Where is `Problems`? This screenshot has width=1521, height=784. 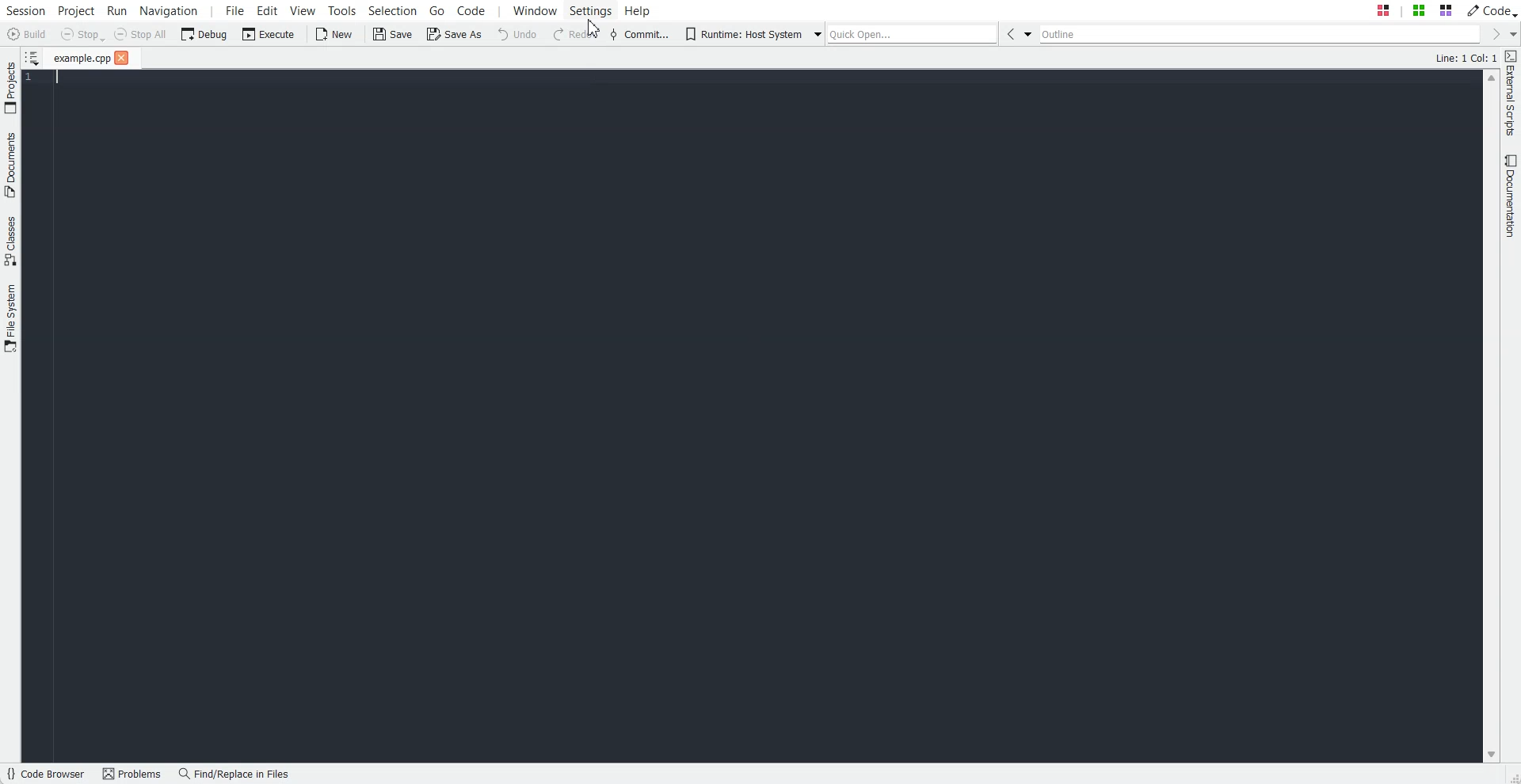
Problems is located at coordinates (135, 774).